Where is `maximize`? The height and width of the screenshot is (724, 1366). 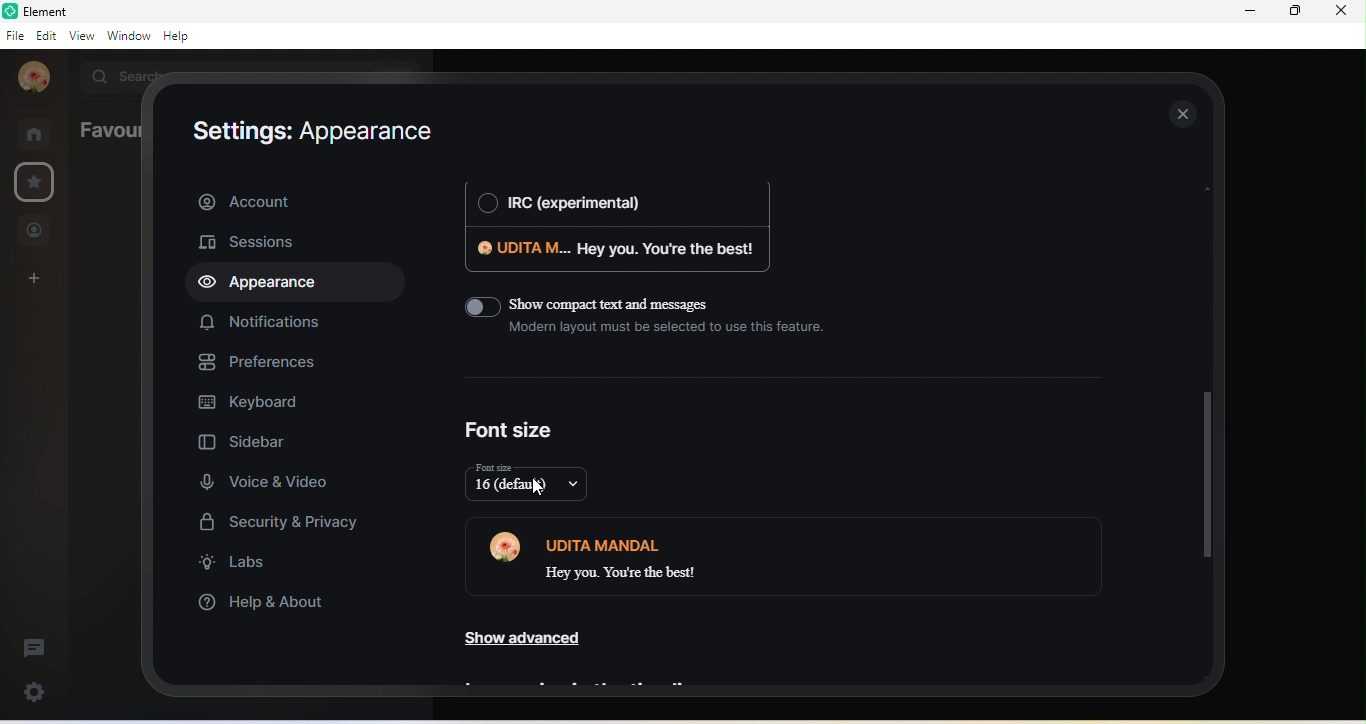
maximize is located at coordinates (1295, 15).